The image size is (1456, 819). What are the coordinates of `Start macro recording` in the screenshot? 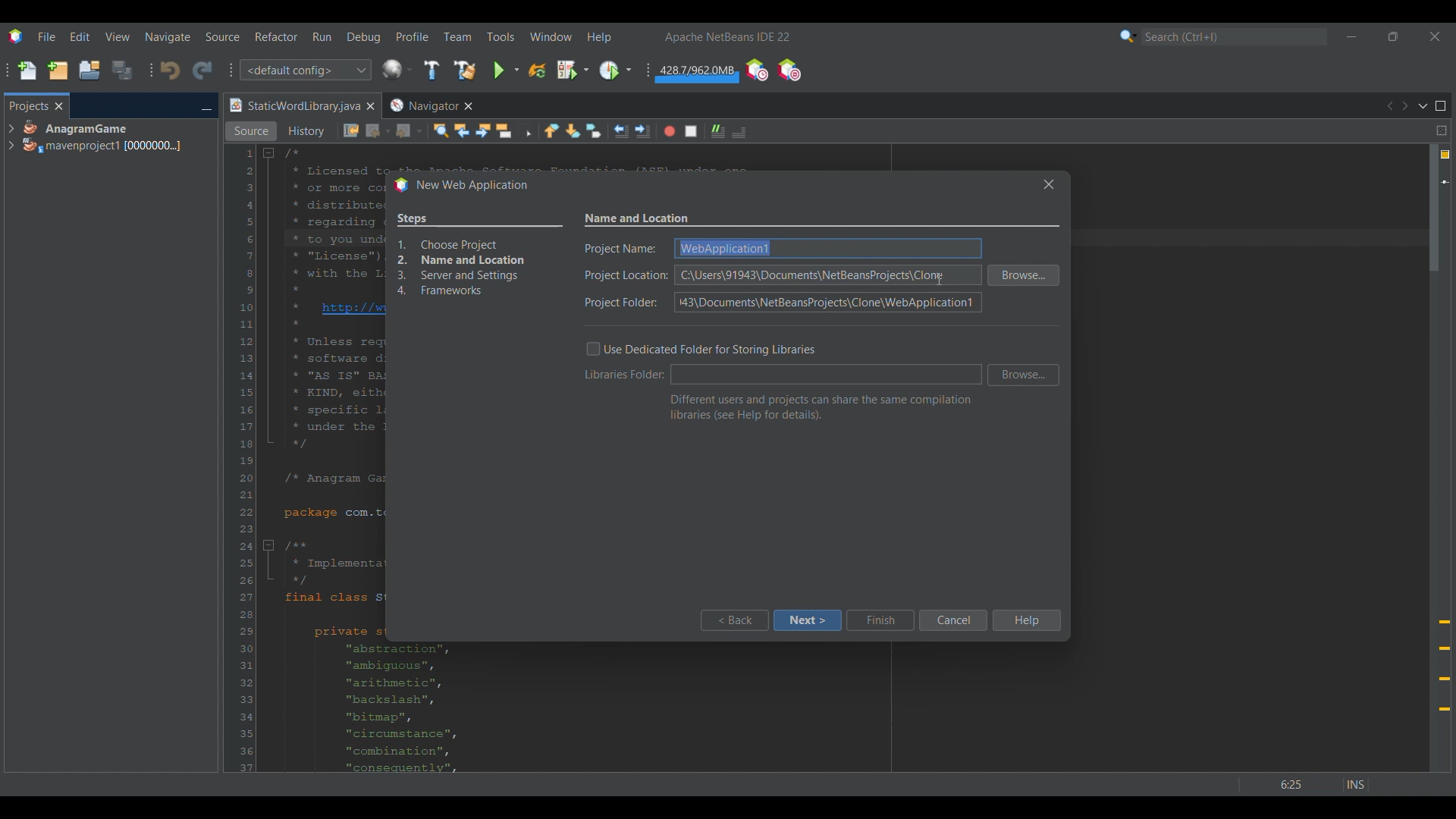 It's located at (670, 131).